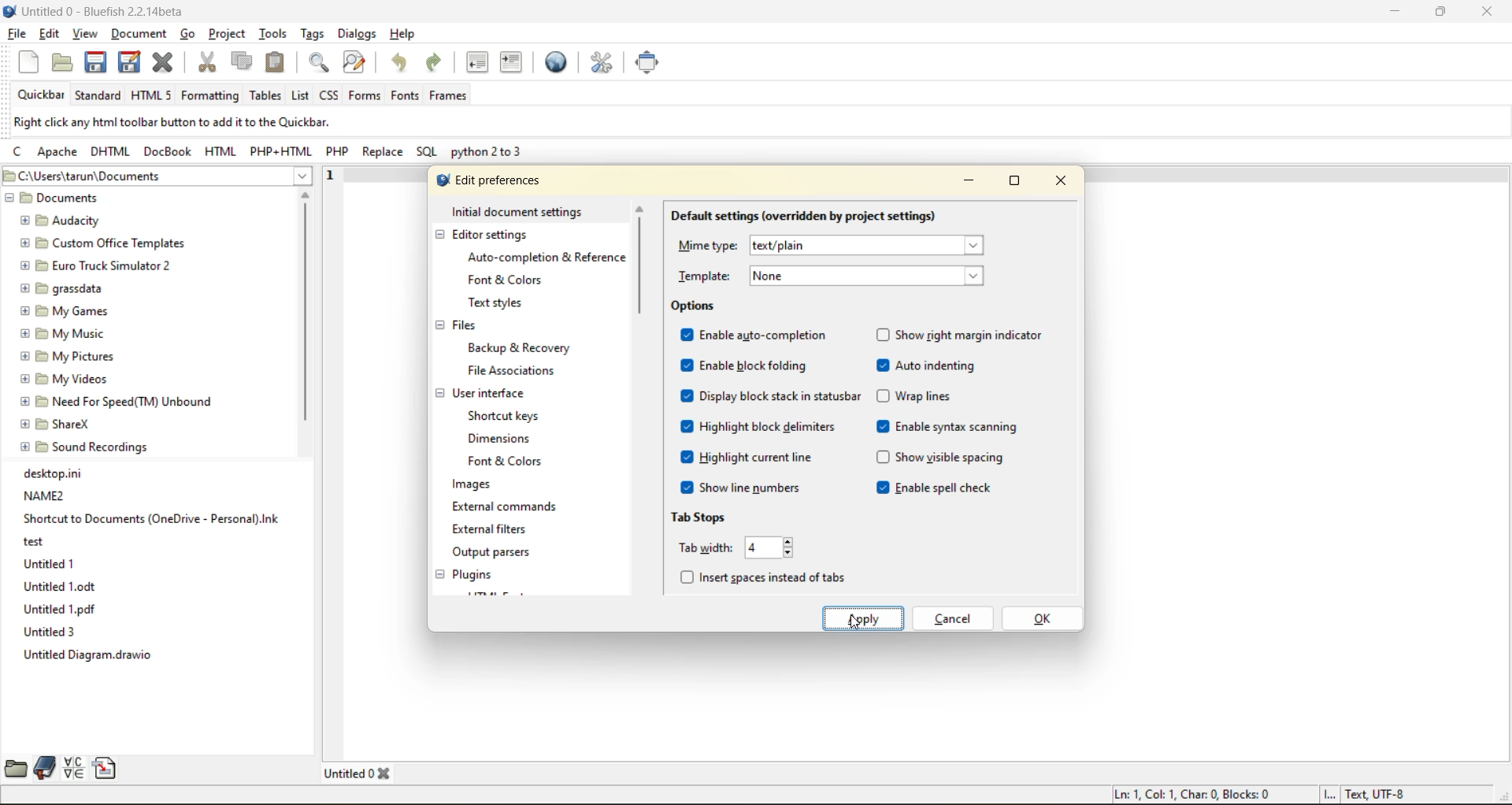  I want to click on apache, so click(57, 154).